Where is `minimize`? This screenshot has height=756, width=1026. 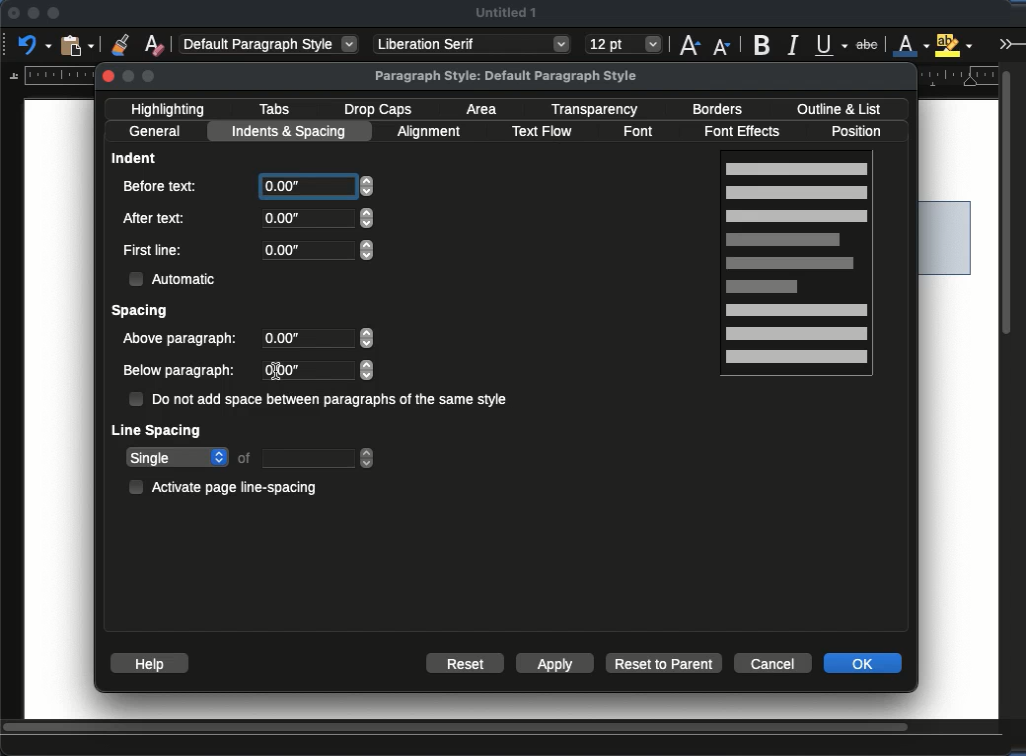
minimize is located at coordinates (33, 13).